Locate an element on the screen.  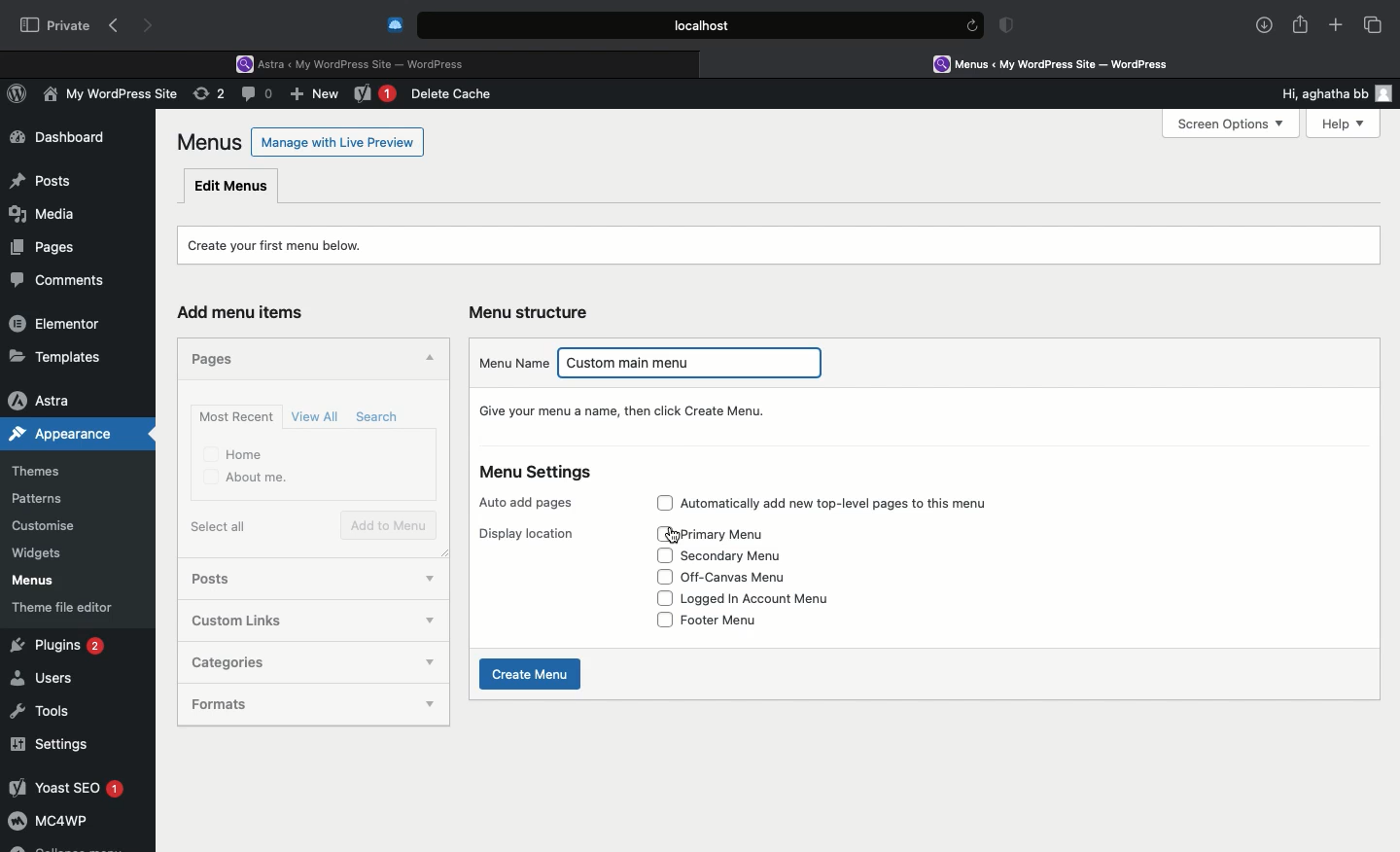
Templates is located at coordinates (56, 356).